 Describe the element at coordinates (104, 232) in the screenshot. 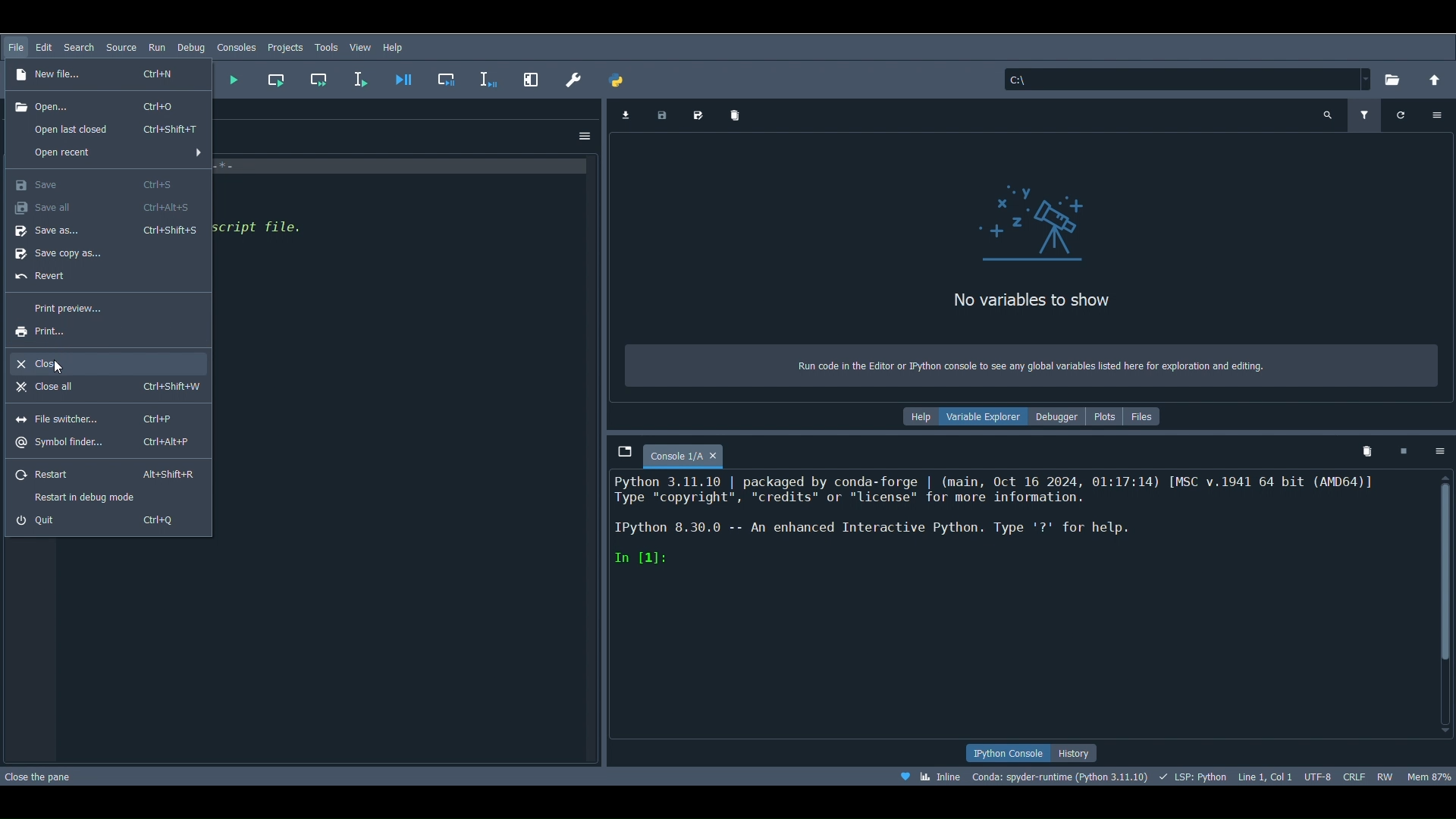

I see `Save as` at that location.